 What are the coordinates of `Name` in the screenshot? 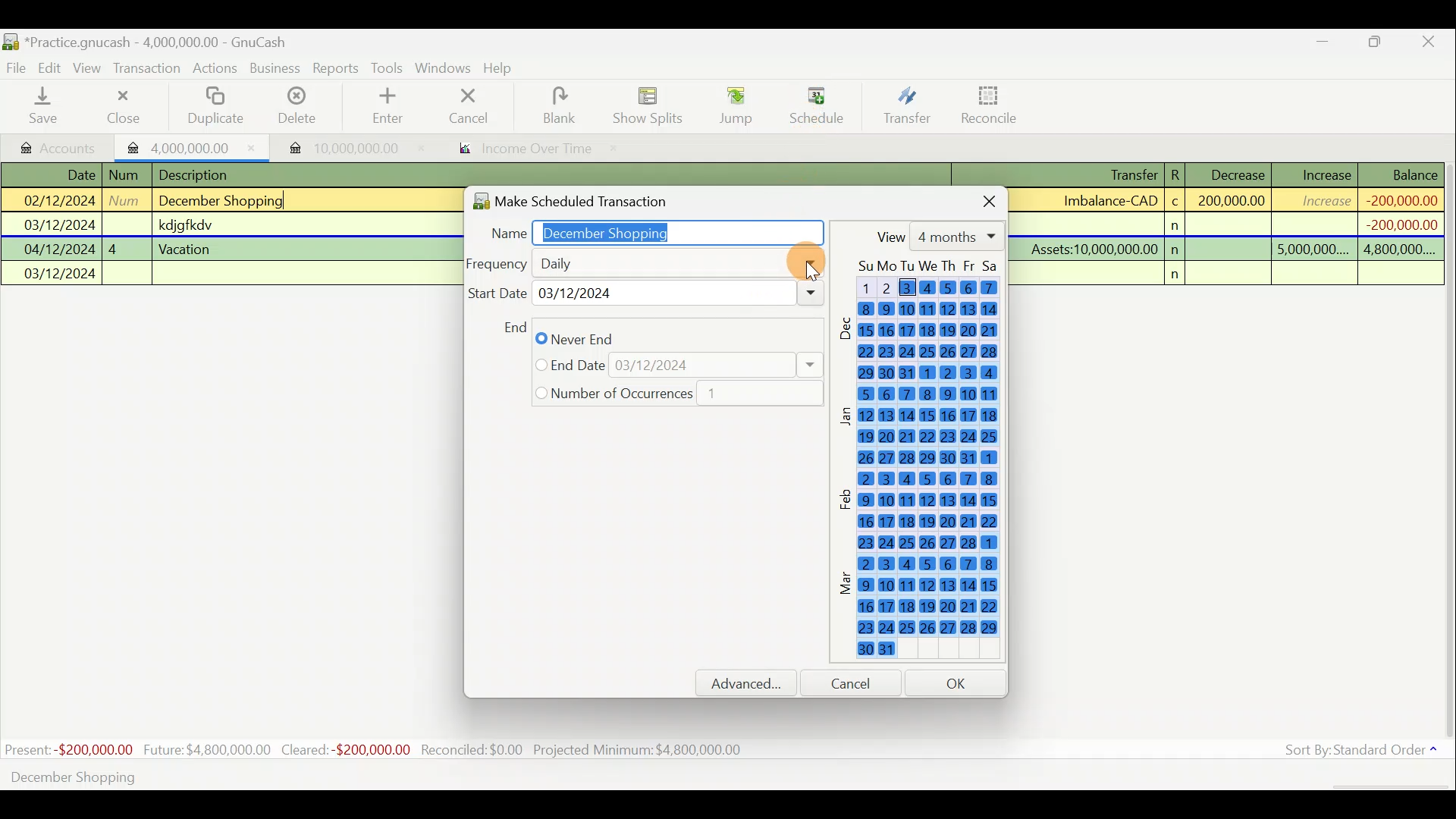 It's located at (649, 230).